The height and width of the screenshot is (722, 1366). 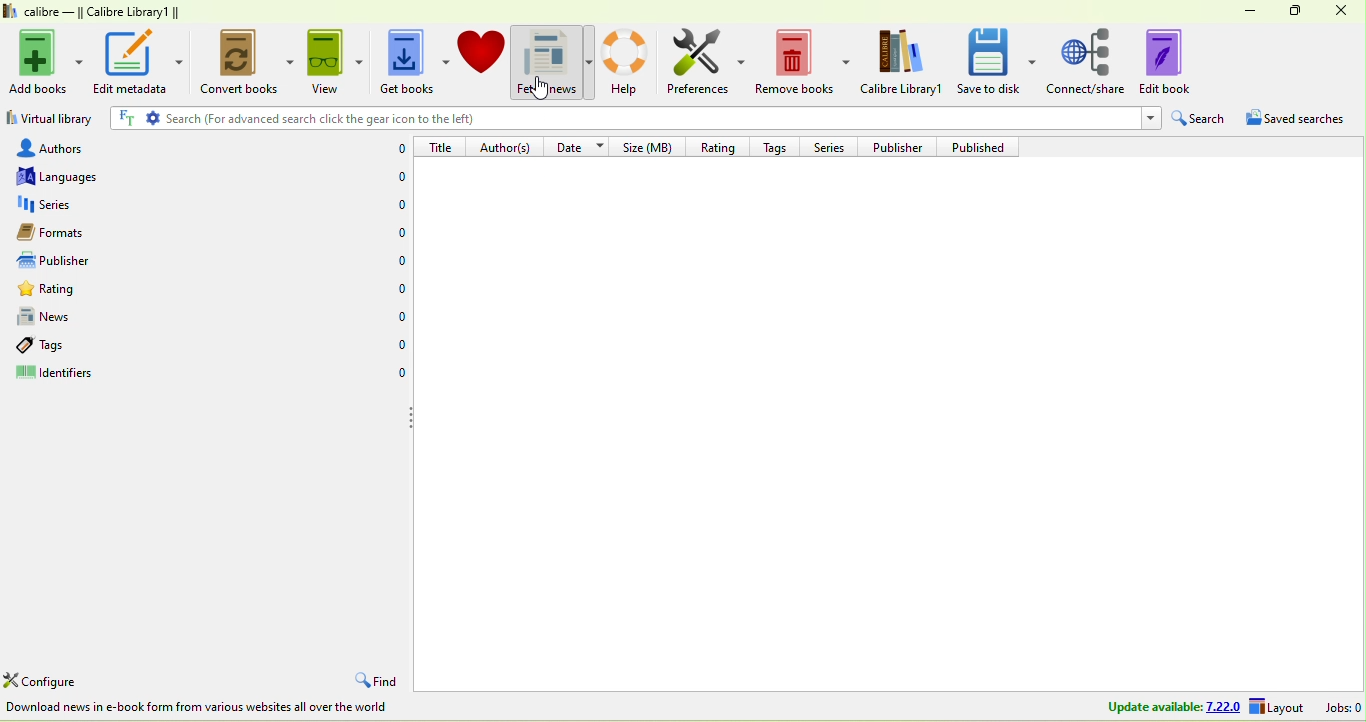 What do you see at coordinates (129, 62) in the screenshot?
I see `edit metadata` at bounding box center [129, 62].